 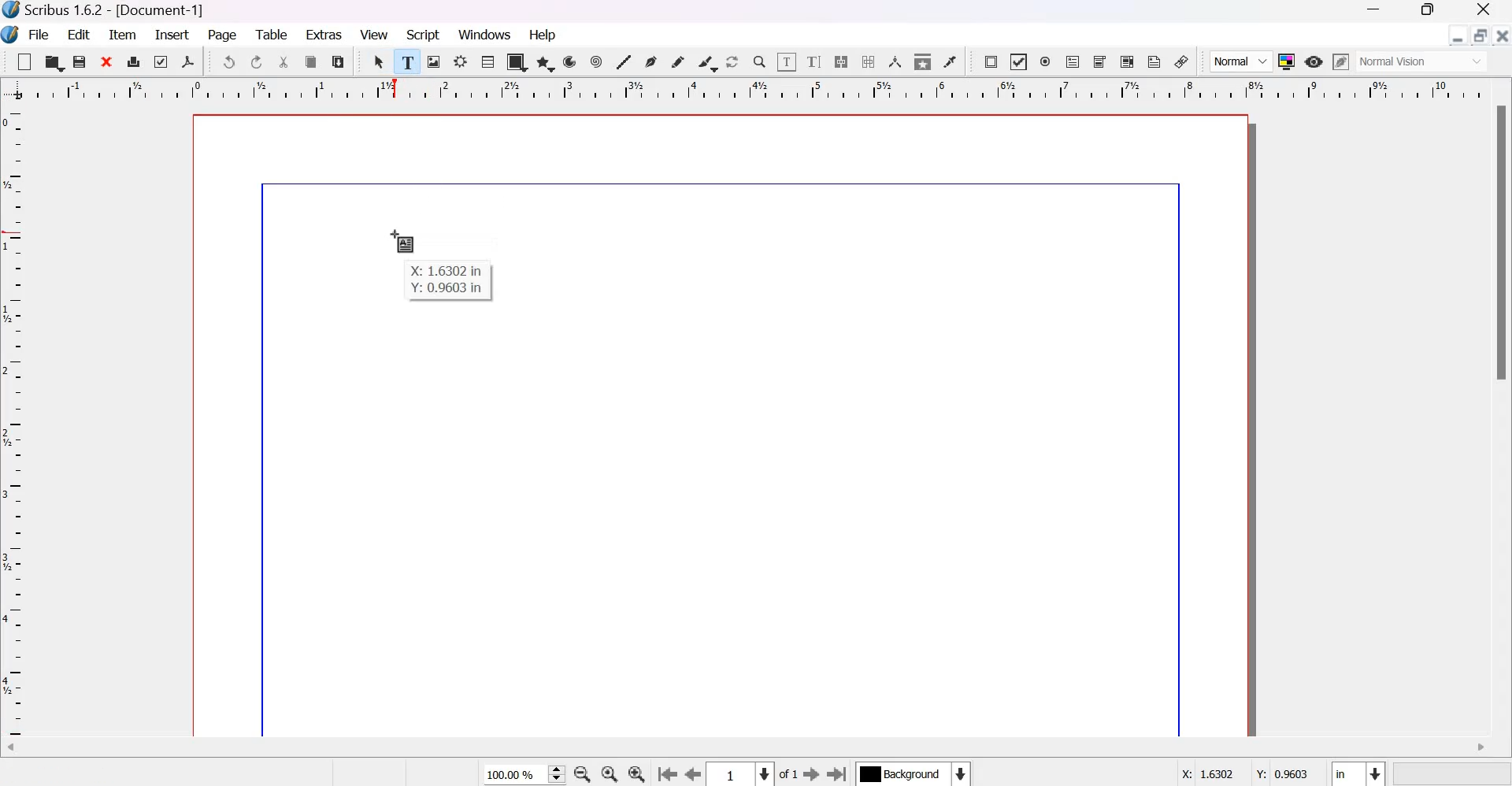 What do you see at coordinates (838, 773) in the screenshot?
I see `Go to the last page` at bounding box center [838, 773].